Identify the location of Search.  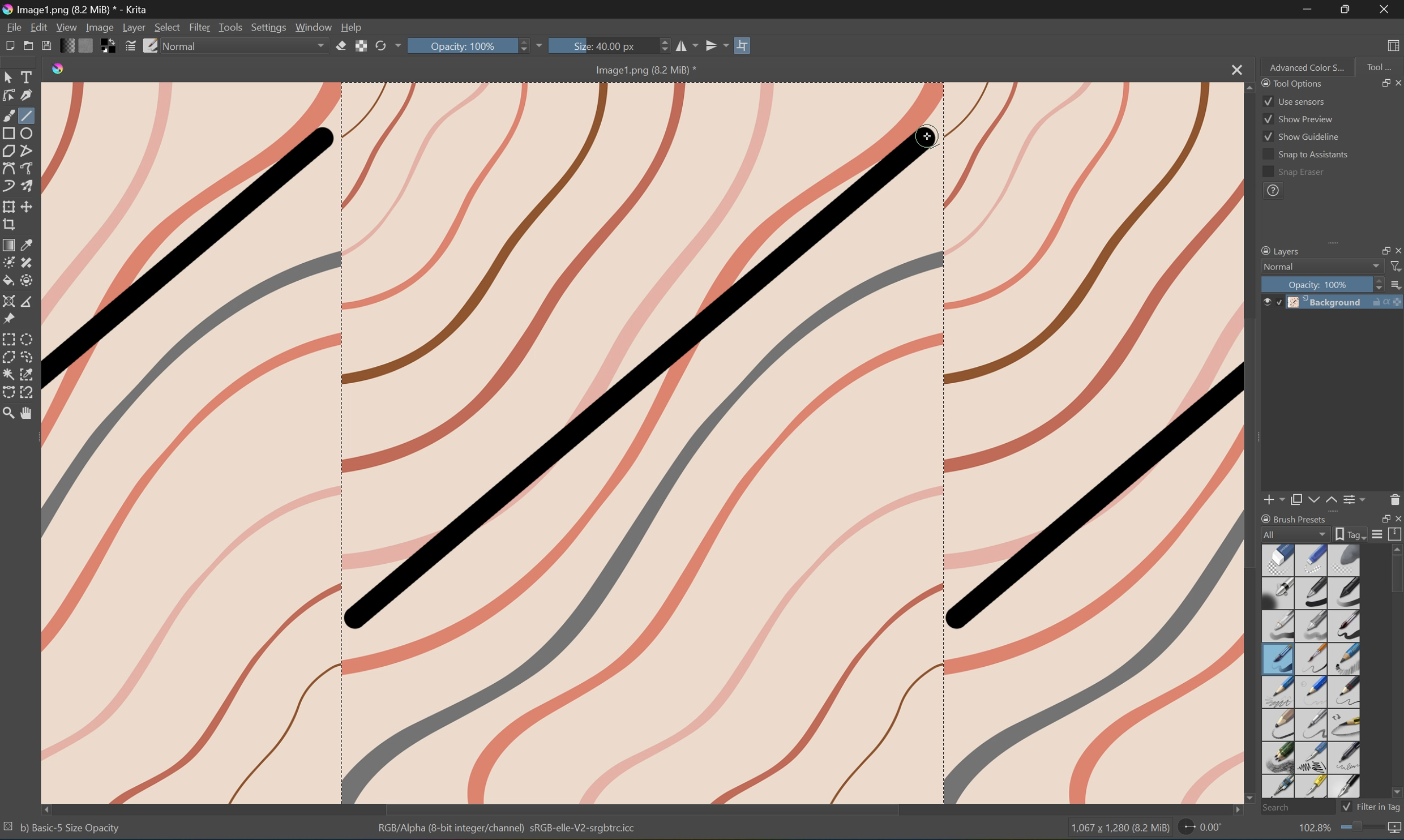
(1294, 807).